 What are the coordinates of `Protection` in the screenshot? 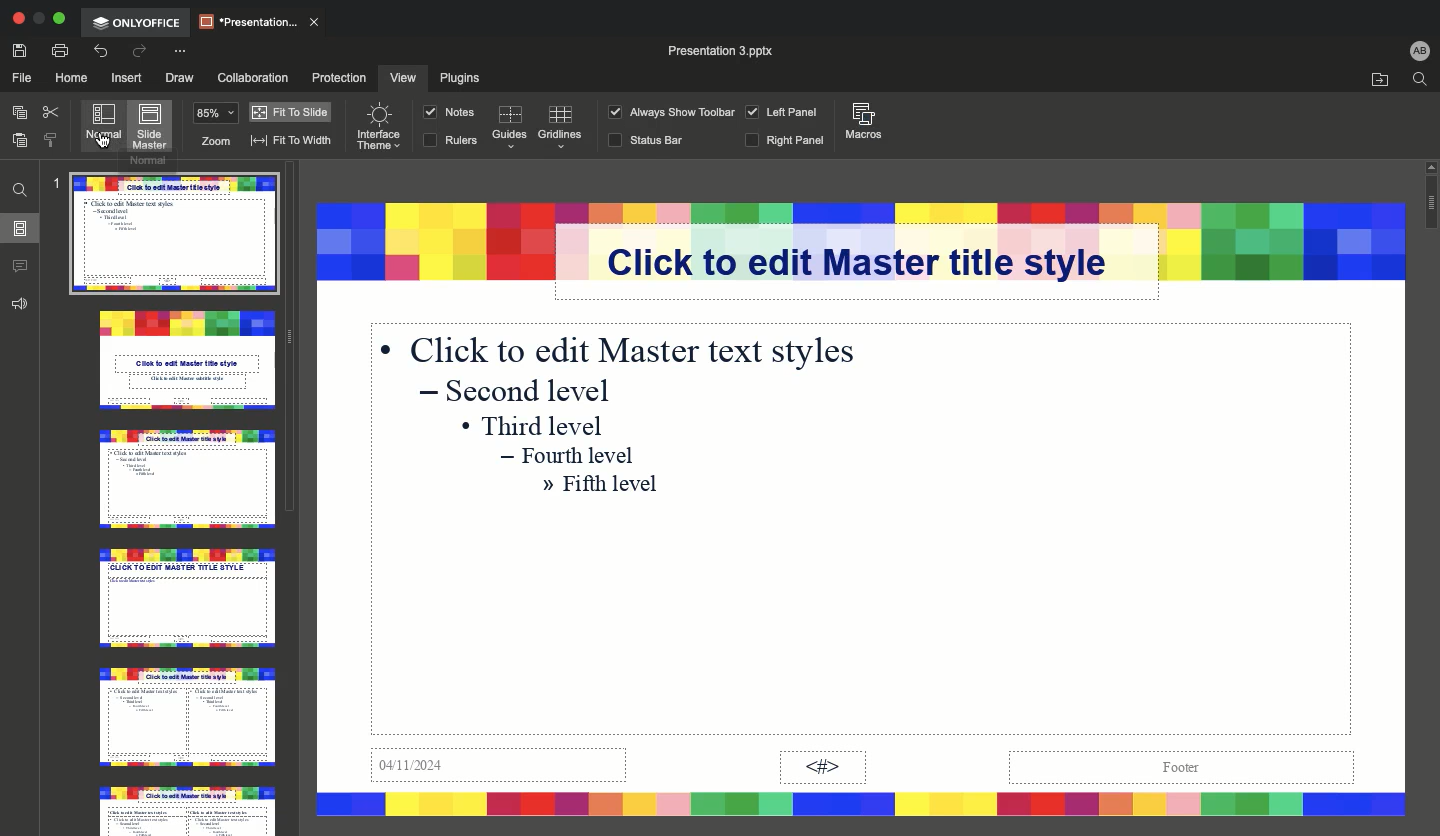 It's located at (331, 78).